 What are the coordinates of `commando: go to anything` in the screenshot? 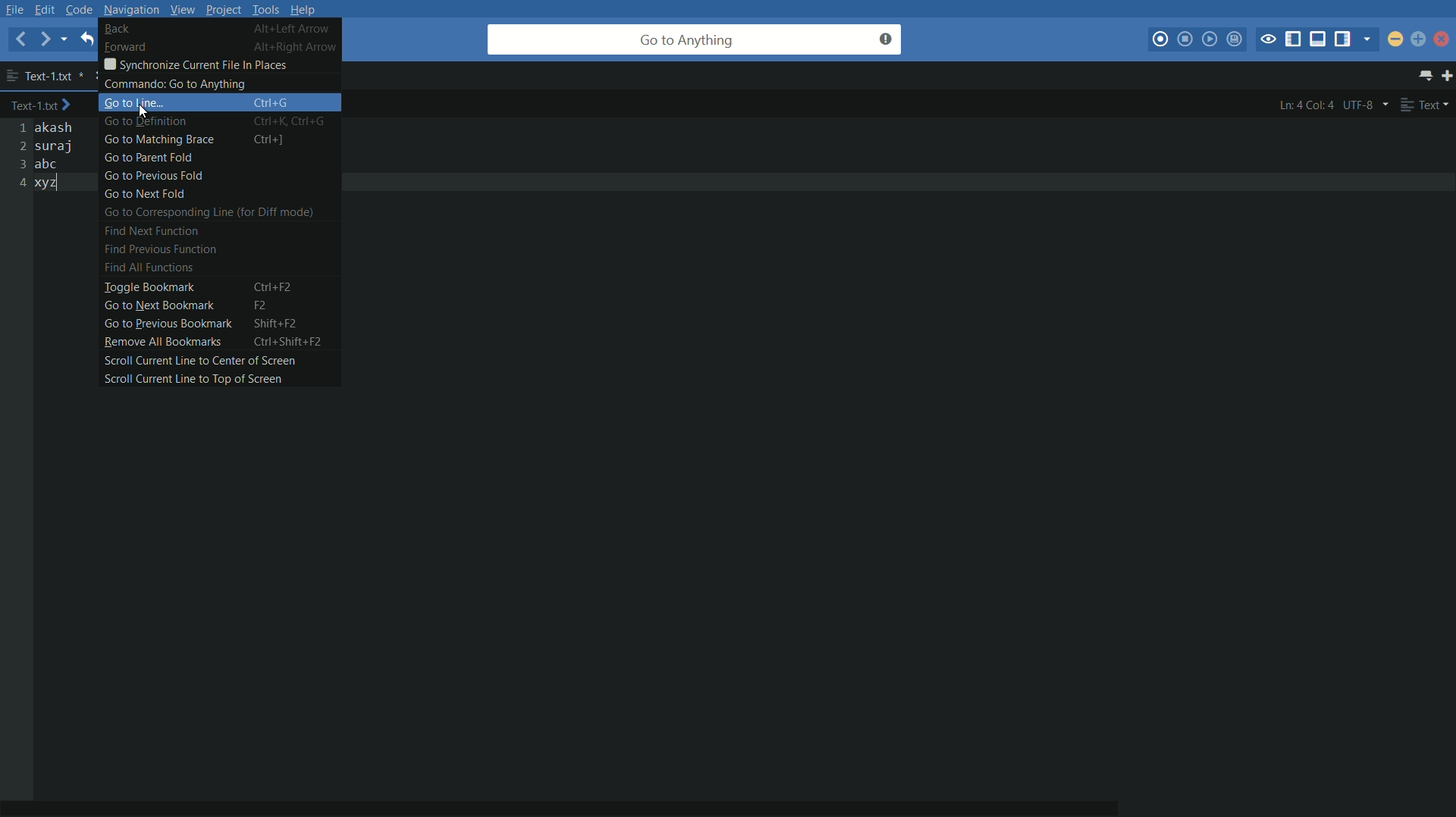 It's located at (178, 84).